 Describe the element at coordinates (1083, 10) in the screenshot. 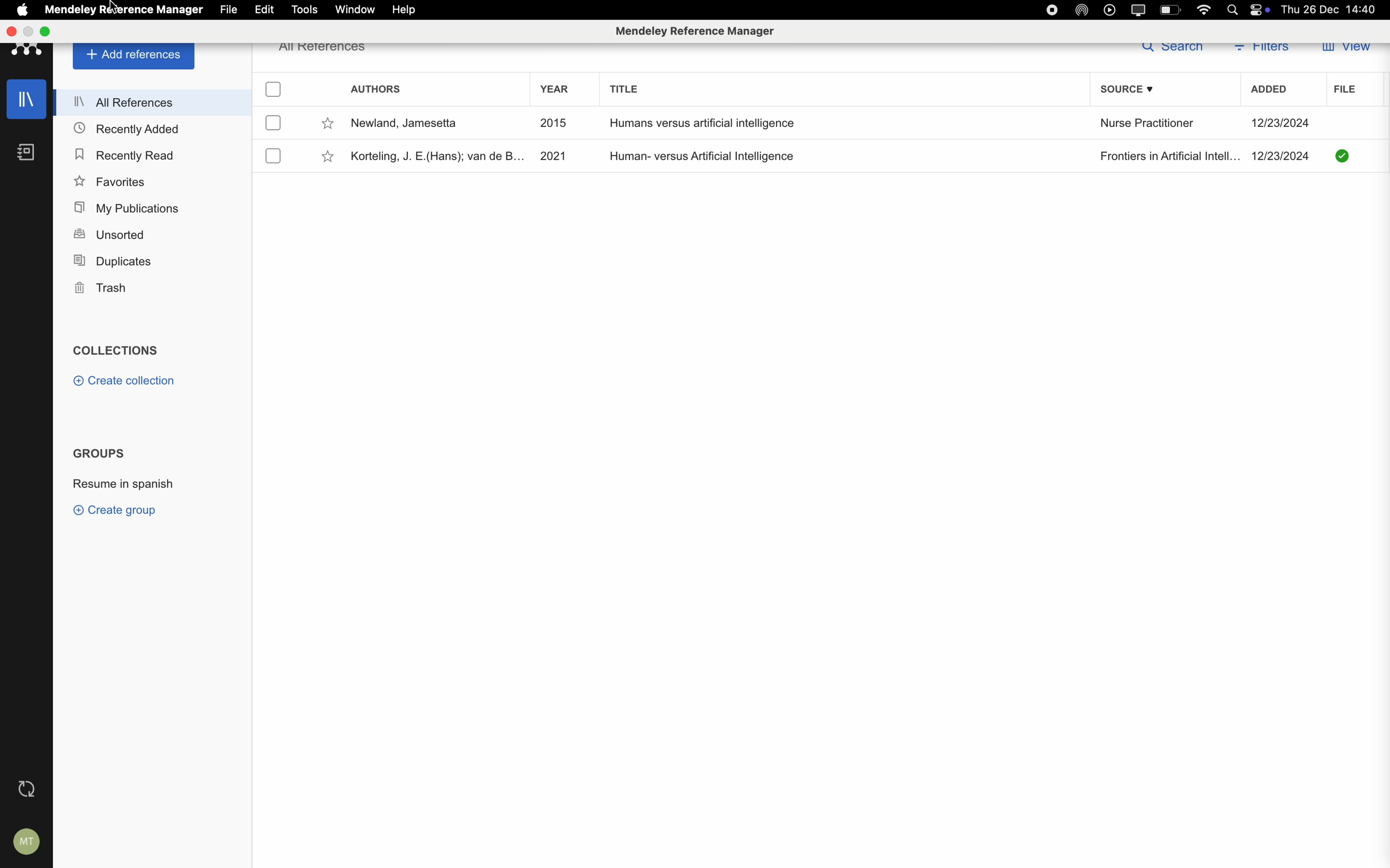

I see `Airdrop` at that location.